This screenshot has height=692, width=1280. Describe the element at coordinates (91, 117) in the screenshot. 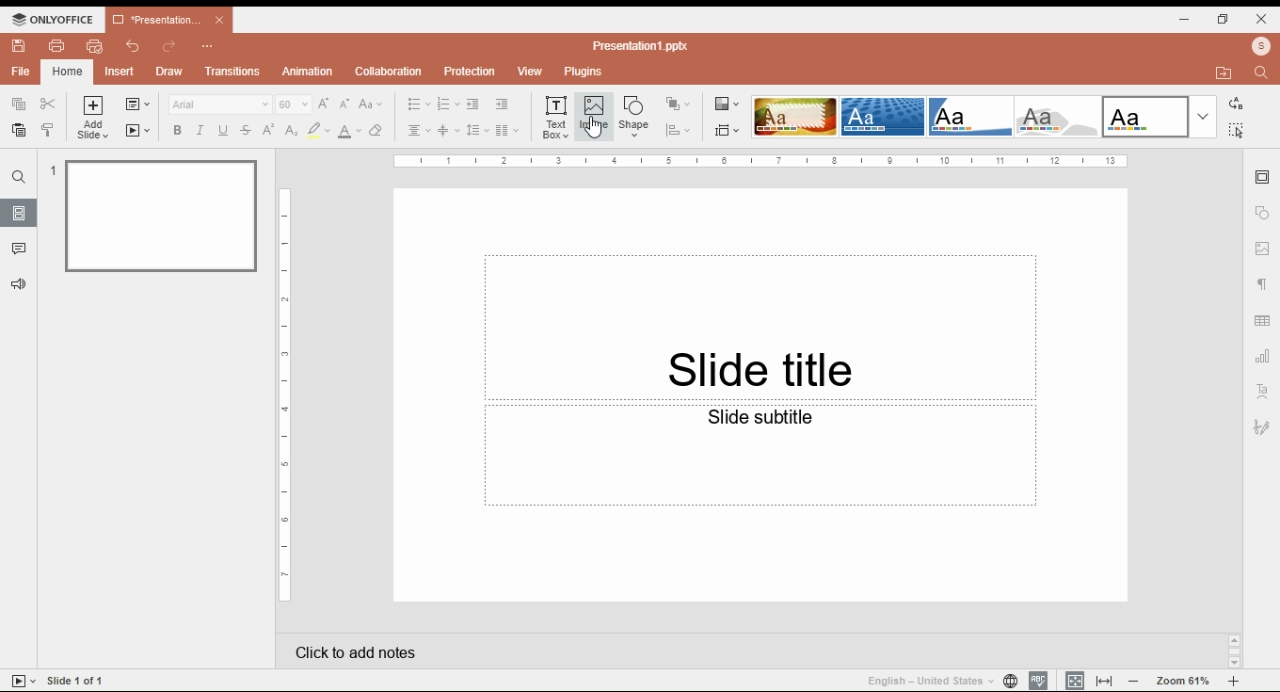

I see `add slide` at that location.